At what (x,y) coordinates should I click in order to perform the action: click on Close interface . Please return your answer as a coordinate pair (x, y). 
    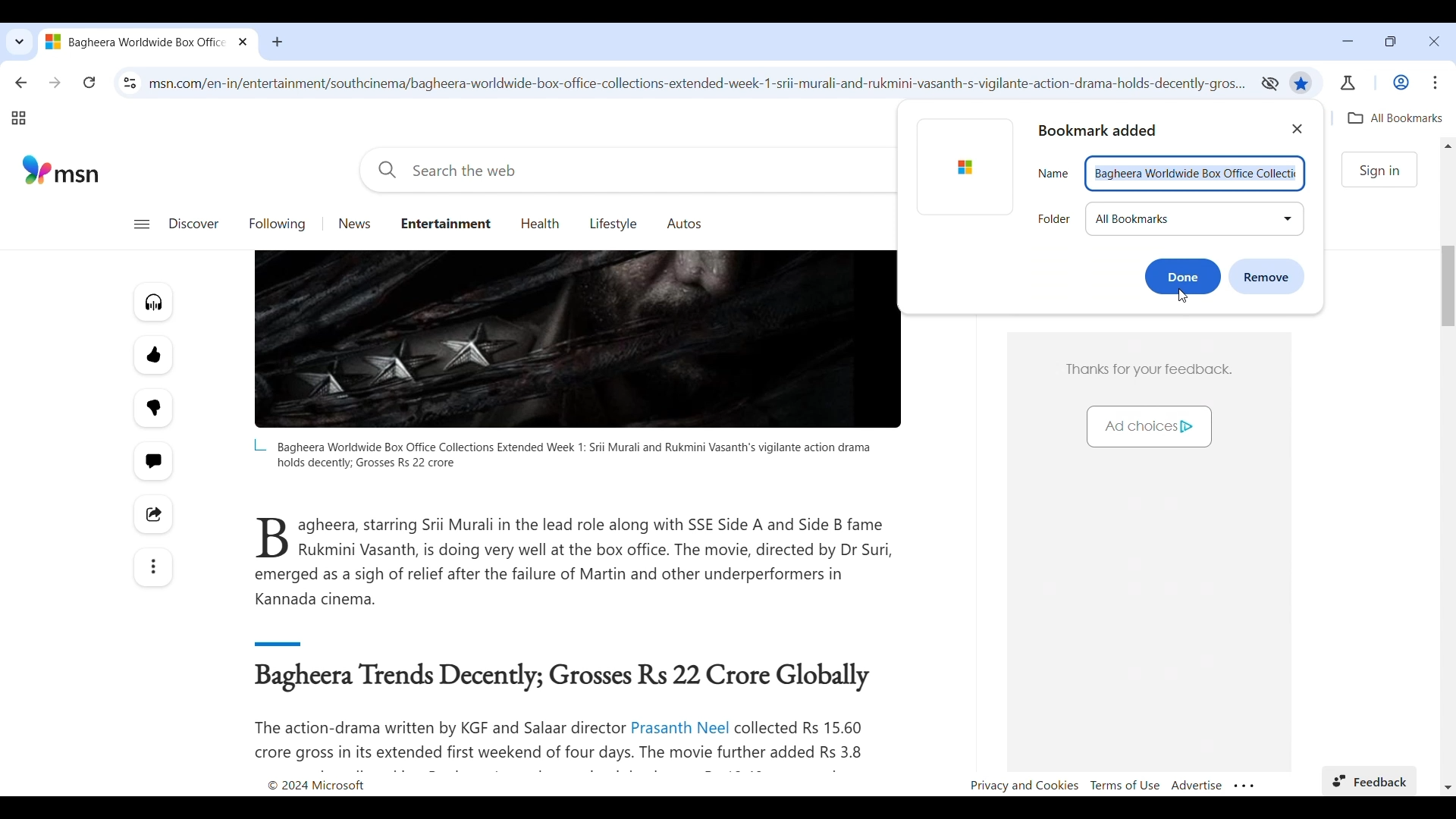
    Looking at the image, I should click on (1434, 41).